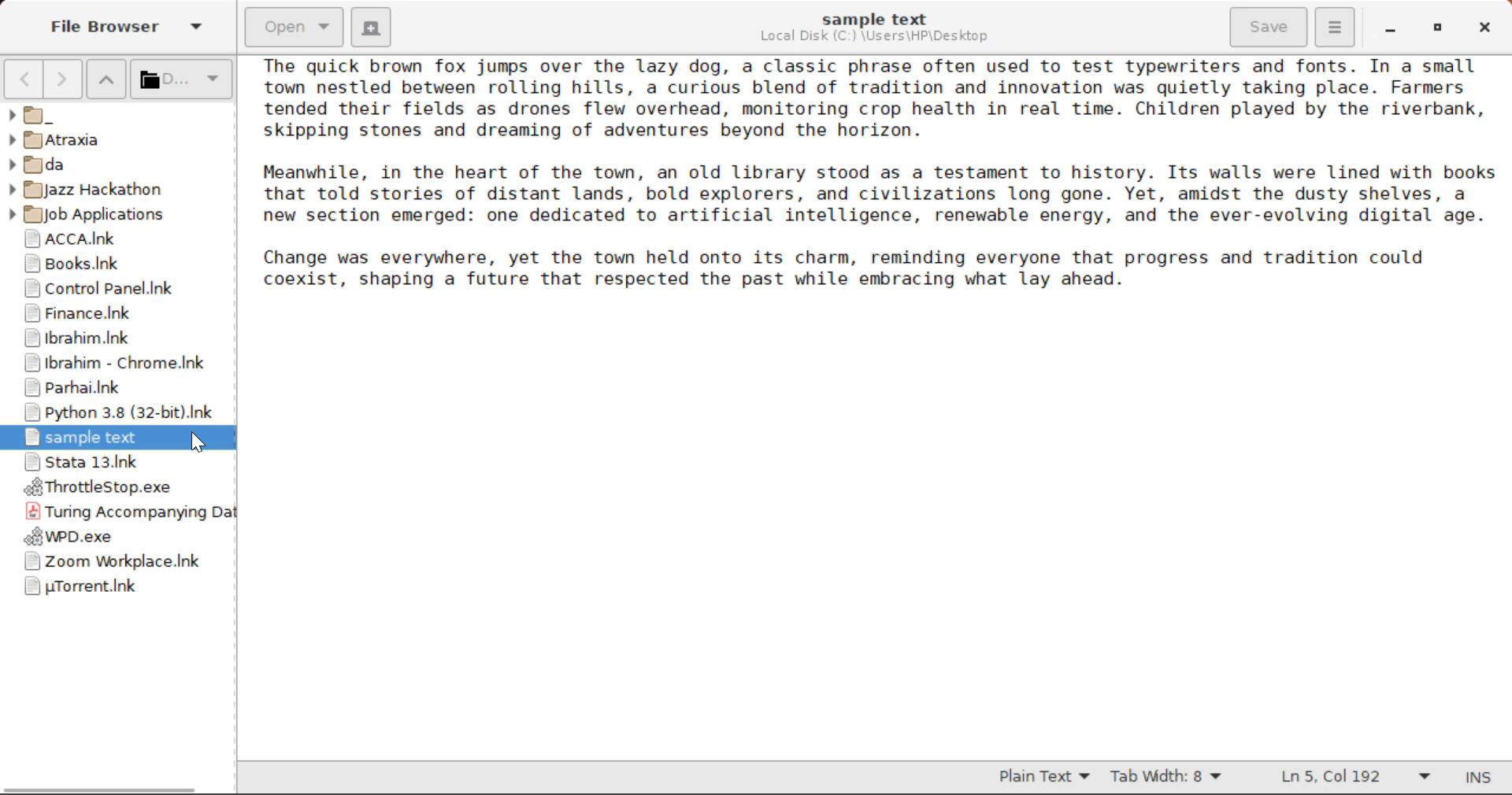 This screenshot has width=1512, height=795. What do you see at coordinates (119, 162) in the screenshot?
I see `da Folder` at bounding box center [119, 162].